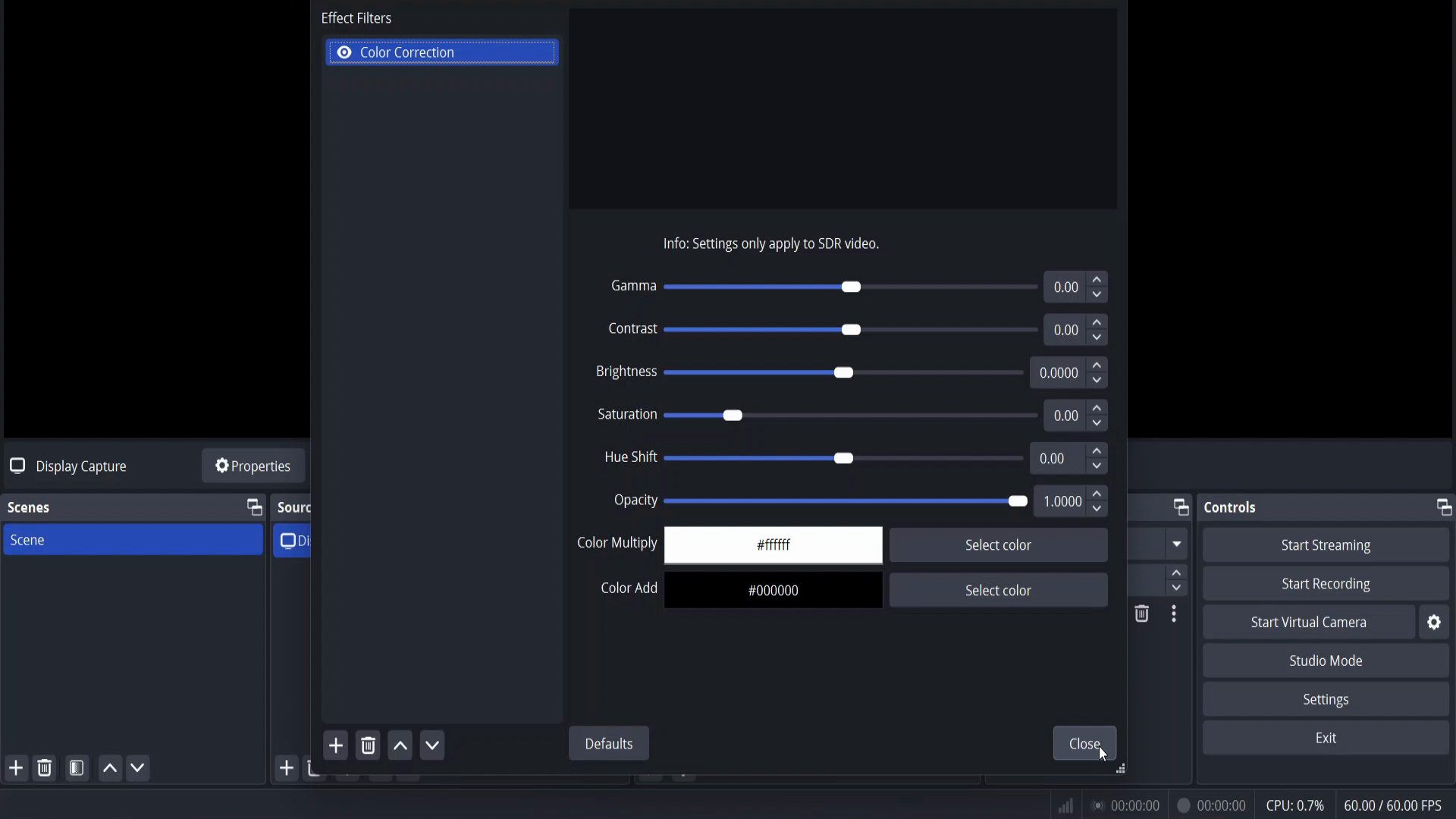 The width and height of the screenshot is (1456, 819). Describe the element at coordinates (849, 288) in the screenshot. I see `GAMMA sel) 000 §` at that location.